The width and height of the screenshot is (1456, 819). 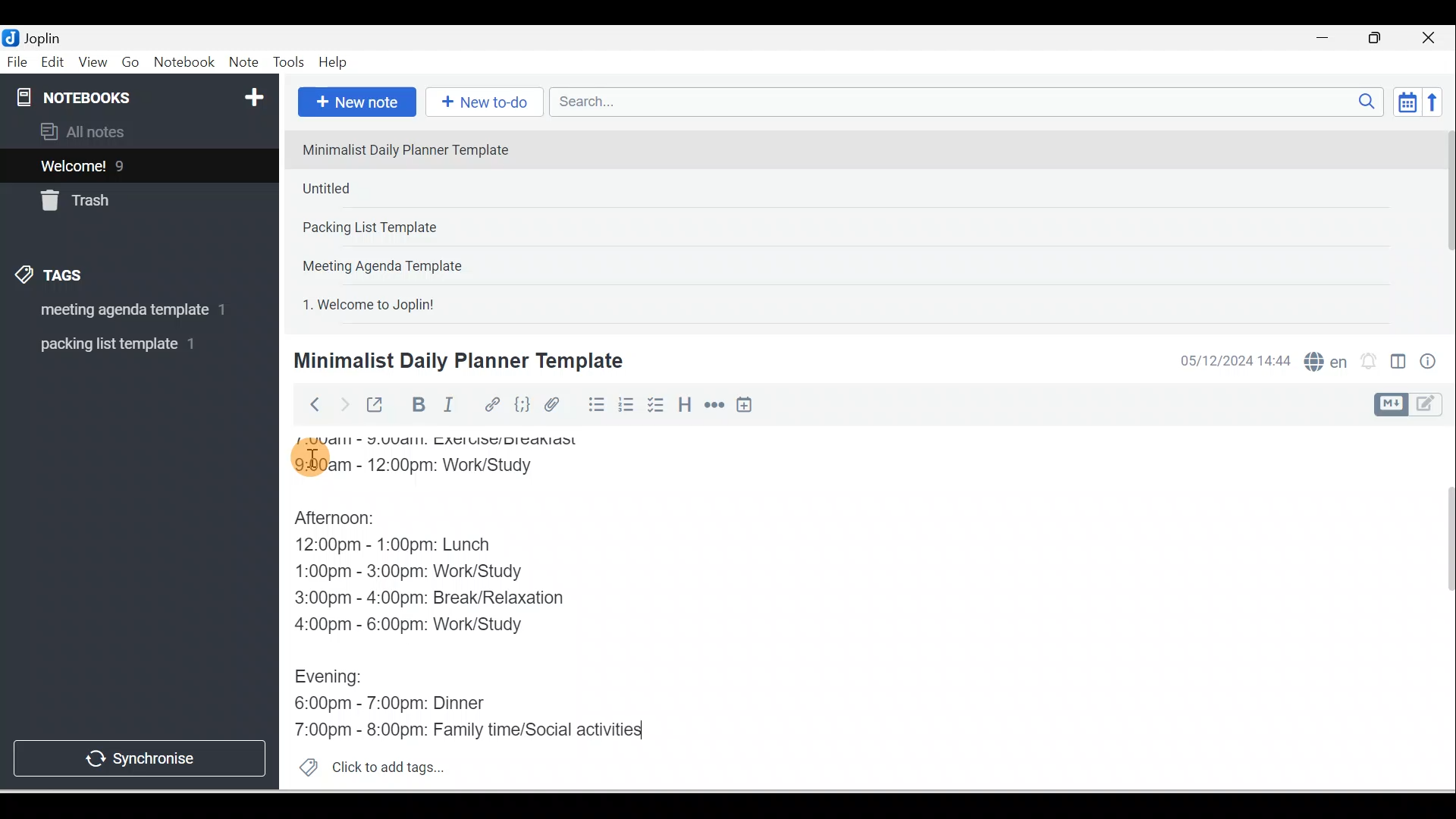 I want to click on Checkbox, so click(x=654, y=405).